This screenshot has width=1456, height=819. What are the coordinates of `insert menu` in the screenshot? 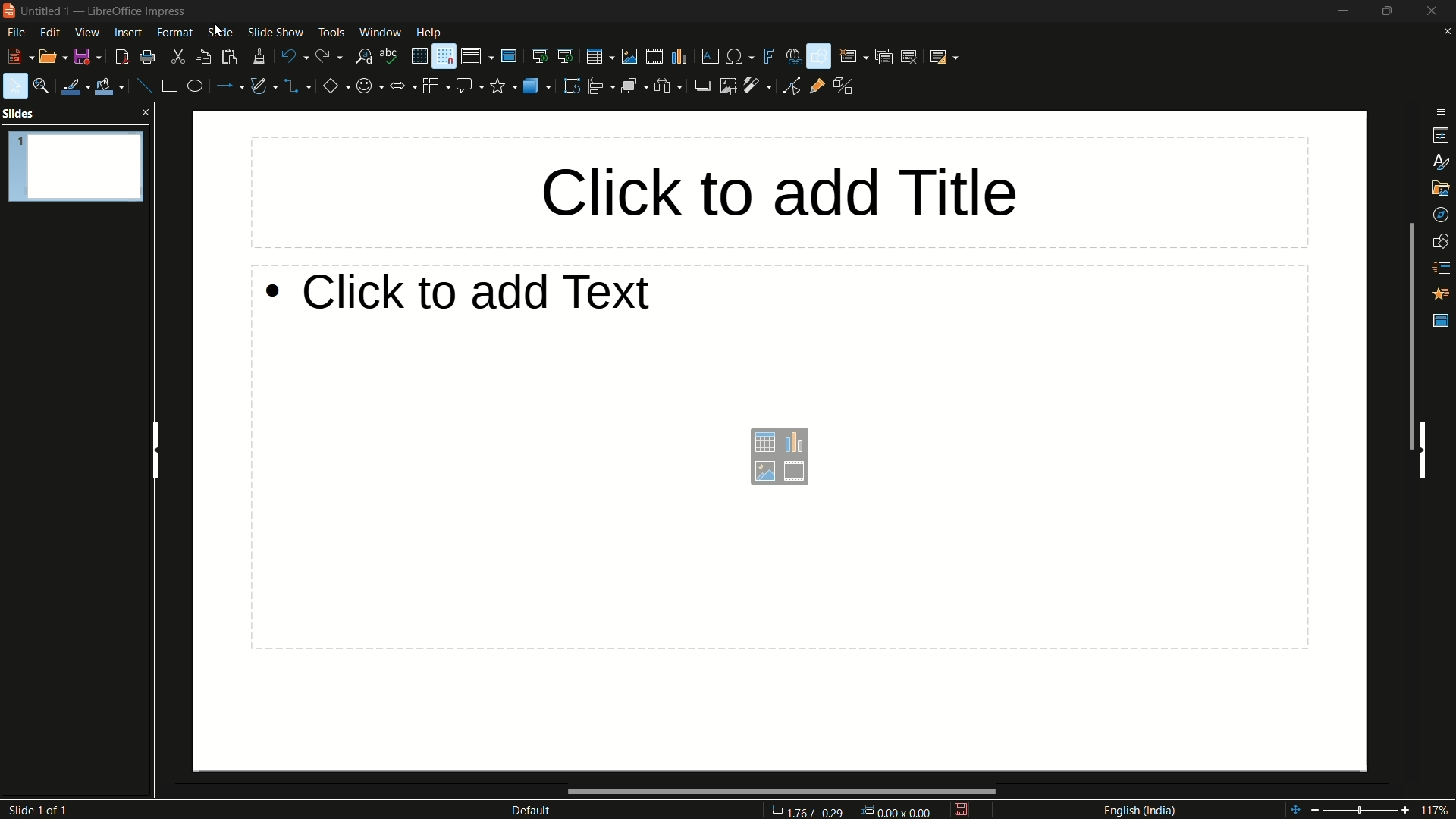 It's located at (128, 33).